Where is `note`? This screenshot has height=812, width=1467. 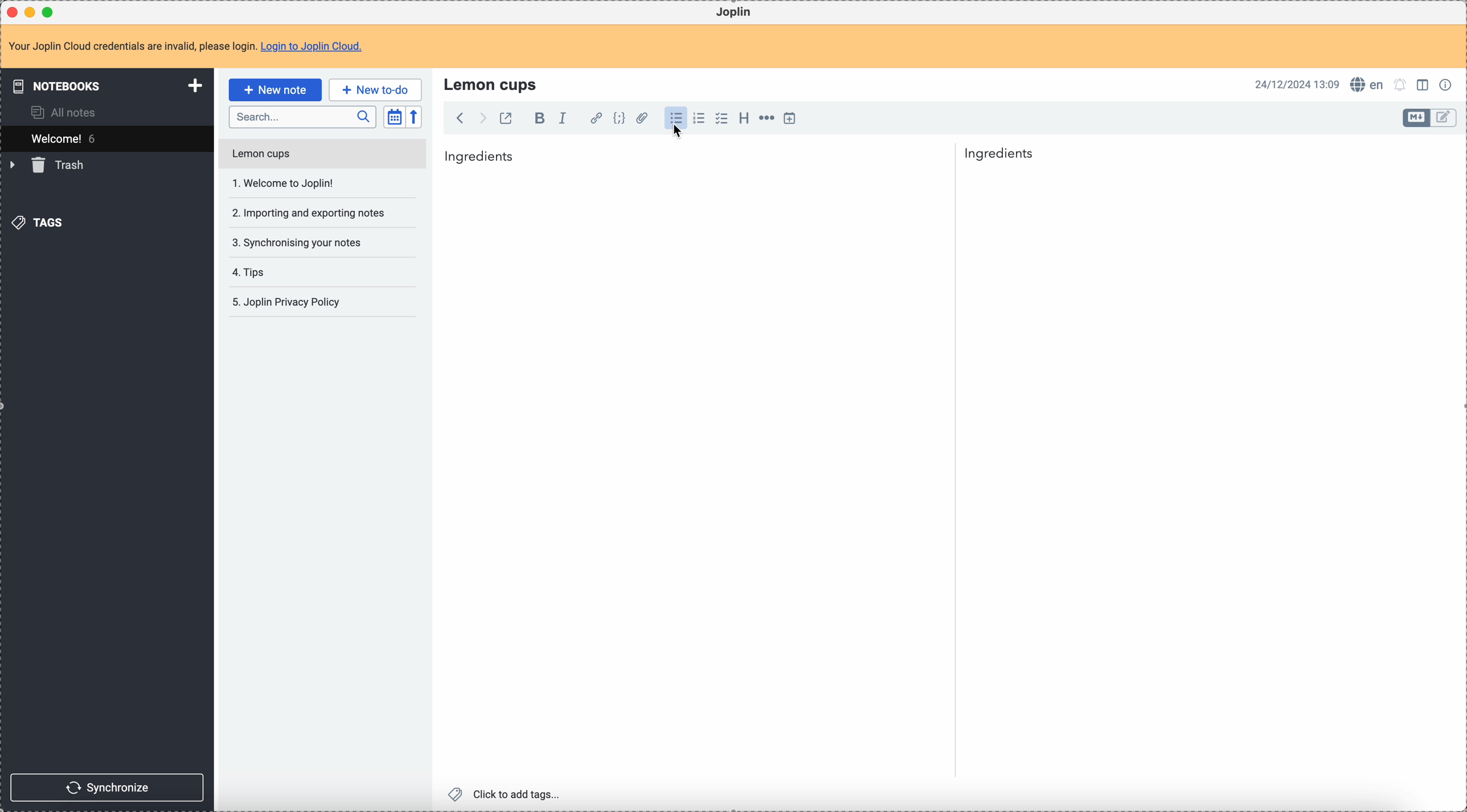 note is located at coordinates (192, 47).